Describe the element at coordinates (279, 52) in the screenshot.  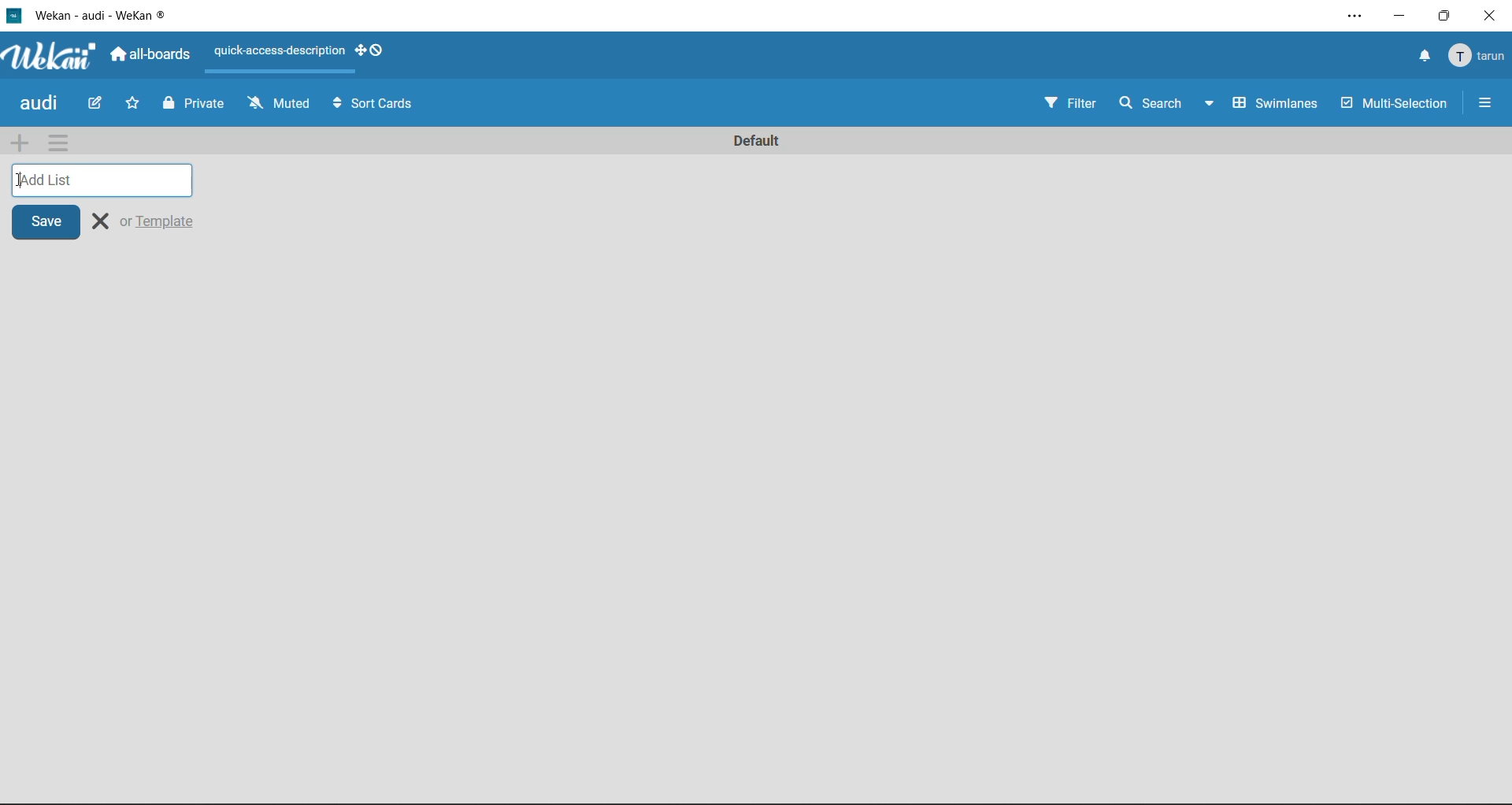
I see `quick-access-description` at that location.